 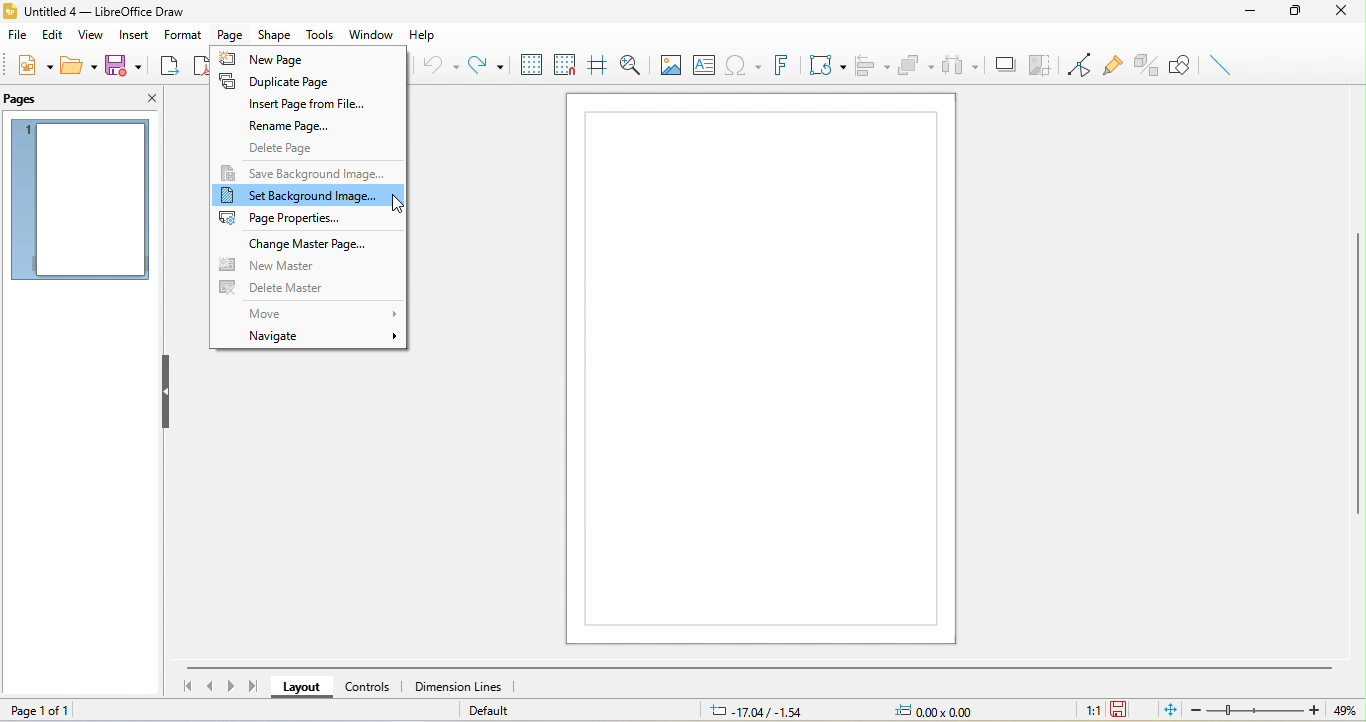 What do you see at coordinates (228, 688) in the screenshot?
I see `next page` at bounding box center [228, 688].